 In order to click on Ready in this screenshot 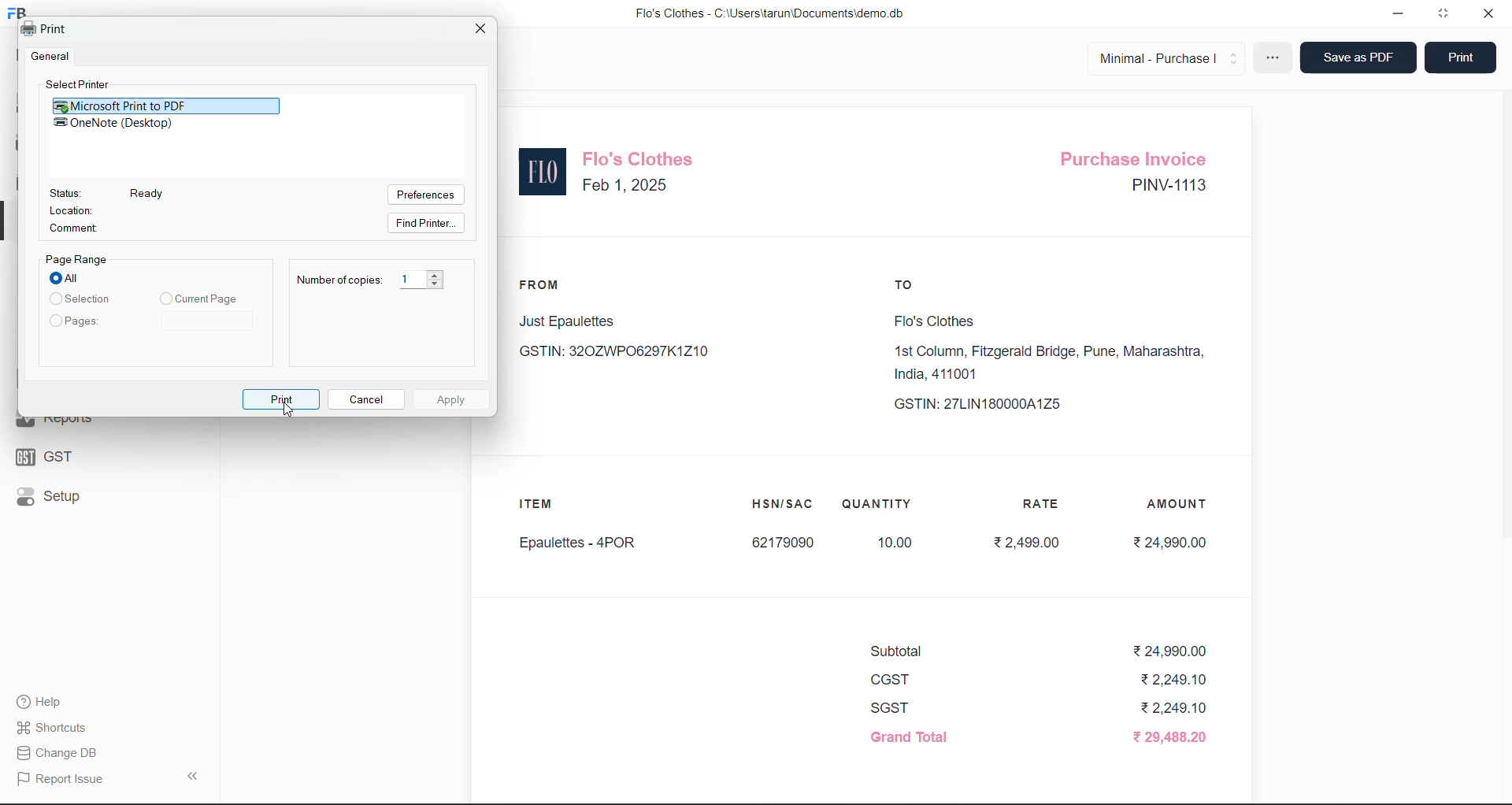, I will do `click(146, 193)`.